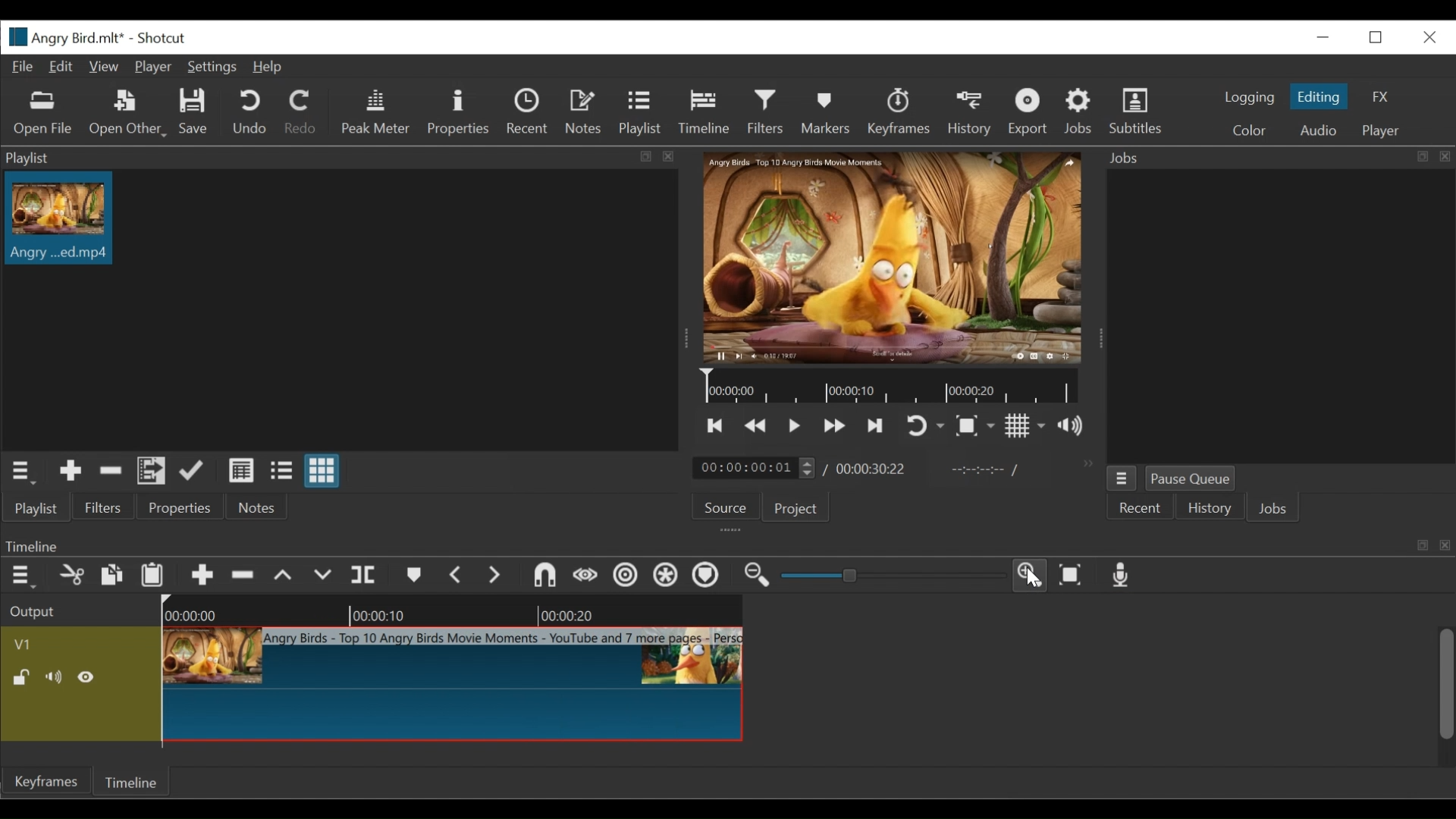 Image resolution: width=1456 pixels, height=819 pixels. What do you see at coordinates (152, 472) in the screenshot?
I see `Add files to the playlist` at bounding box center [152, 472].